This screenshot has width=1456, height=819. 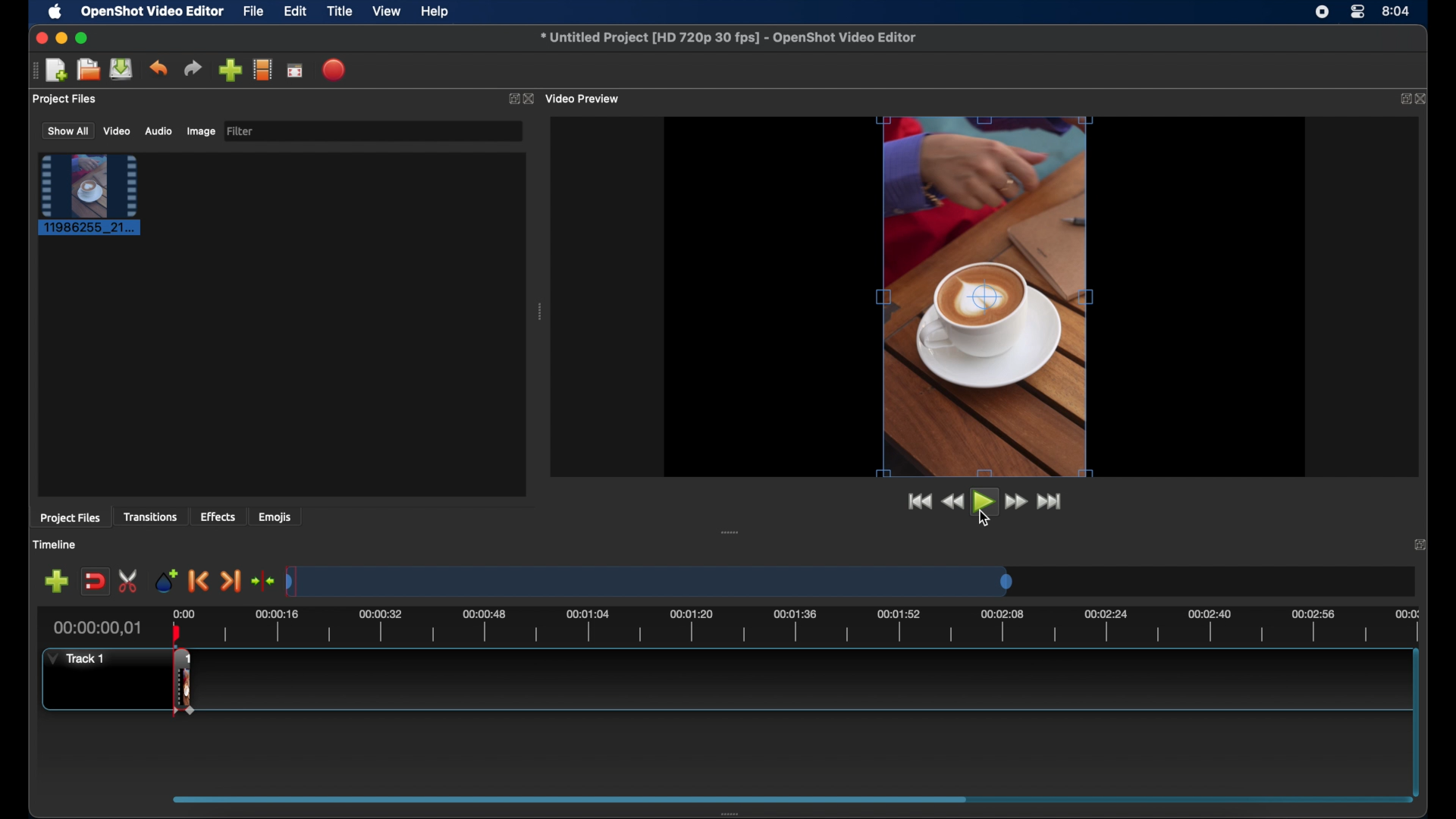 I want to click on close, so click(x=1418, y=544).